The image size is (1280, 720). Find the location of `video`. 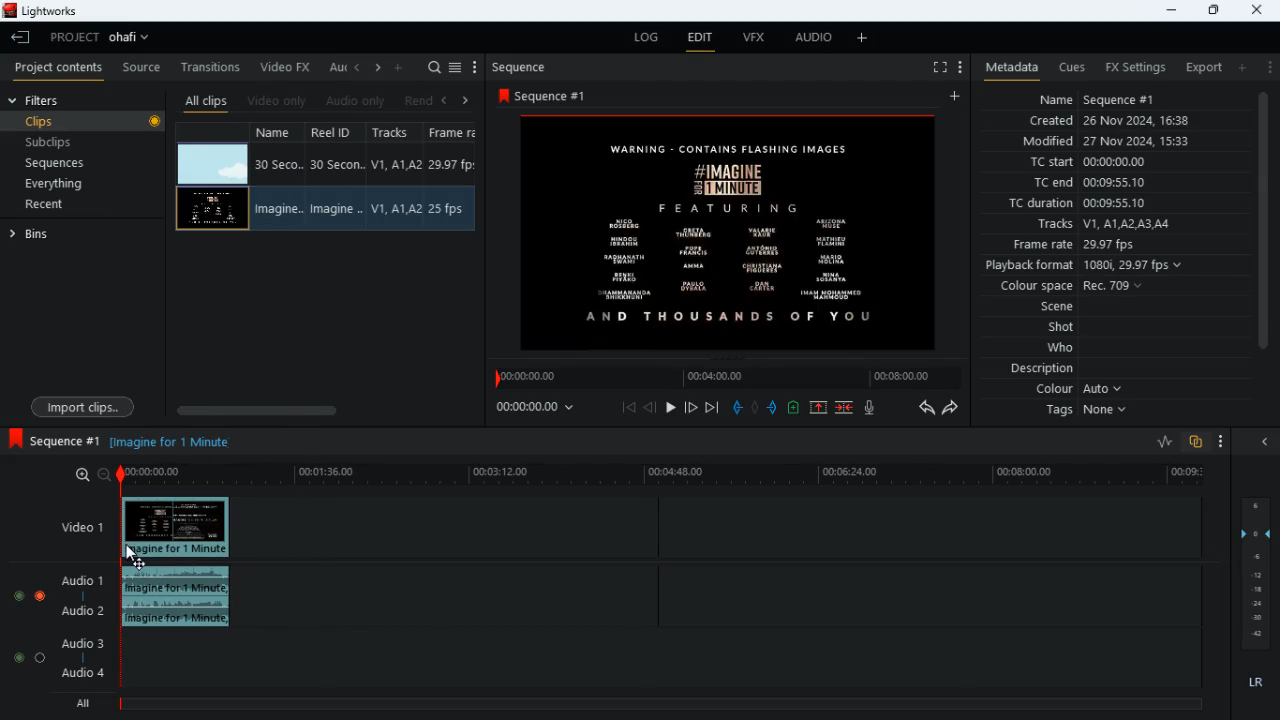

video is located at coordinates (213, 162).